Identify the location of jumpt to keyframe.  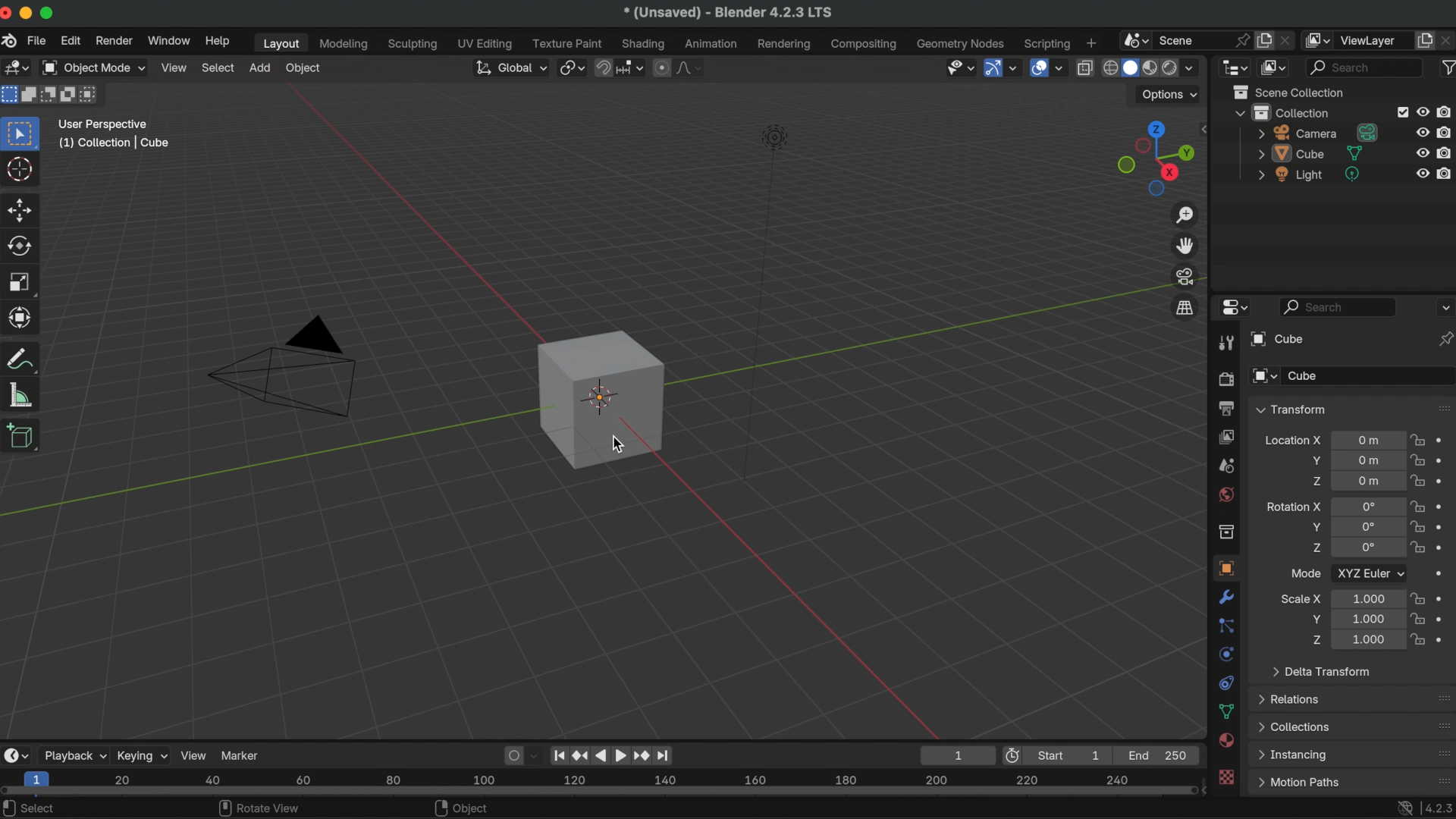
(641, 755).